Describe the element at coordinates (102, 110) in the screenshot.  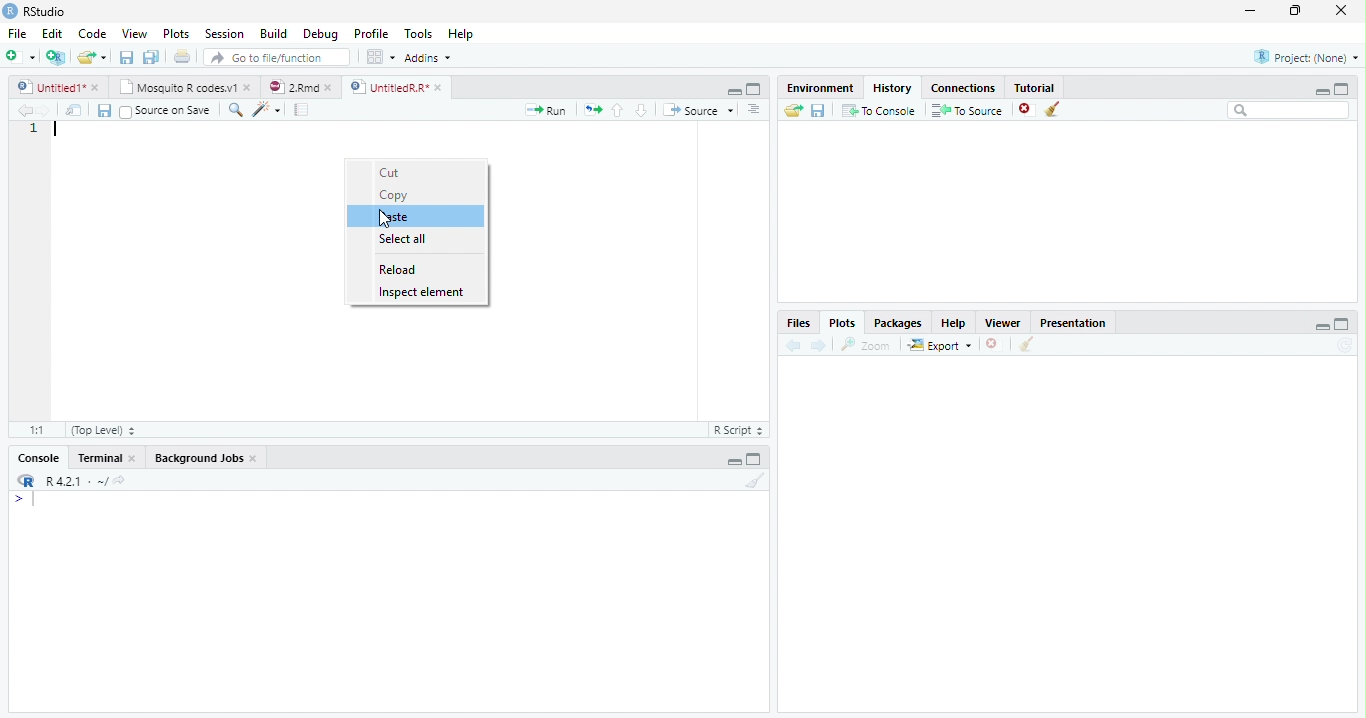
I see `Save` at that location.